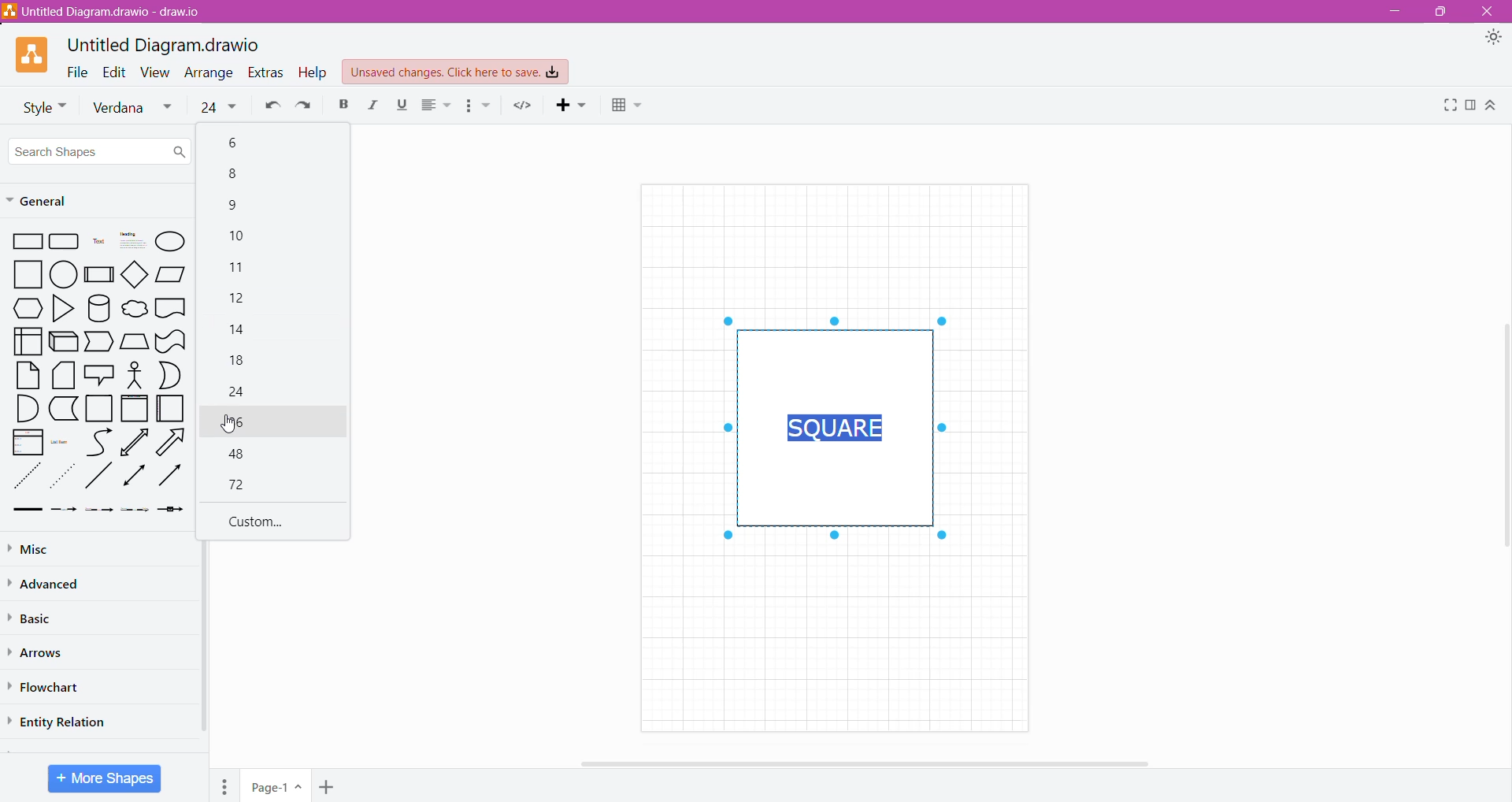 The width and height of the screenshot is (1512, 802). I want to click on Double Arrow, so click(132, 477).